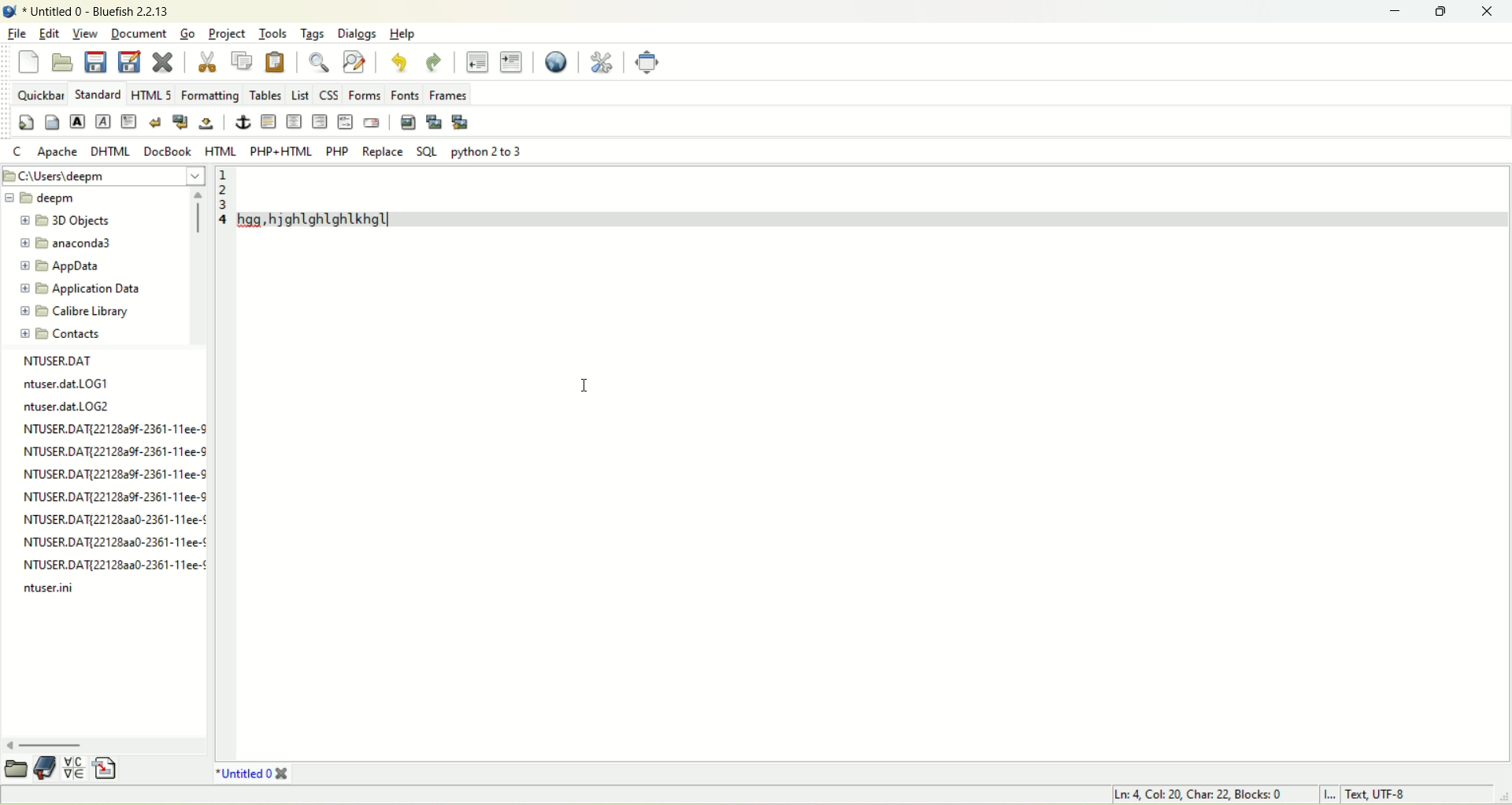  Describe the element at coordinates (869, 195) in the screenshot. I see `text in editor` at that location.